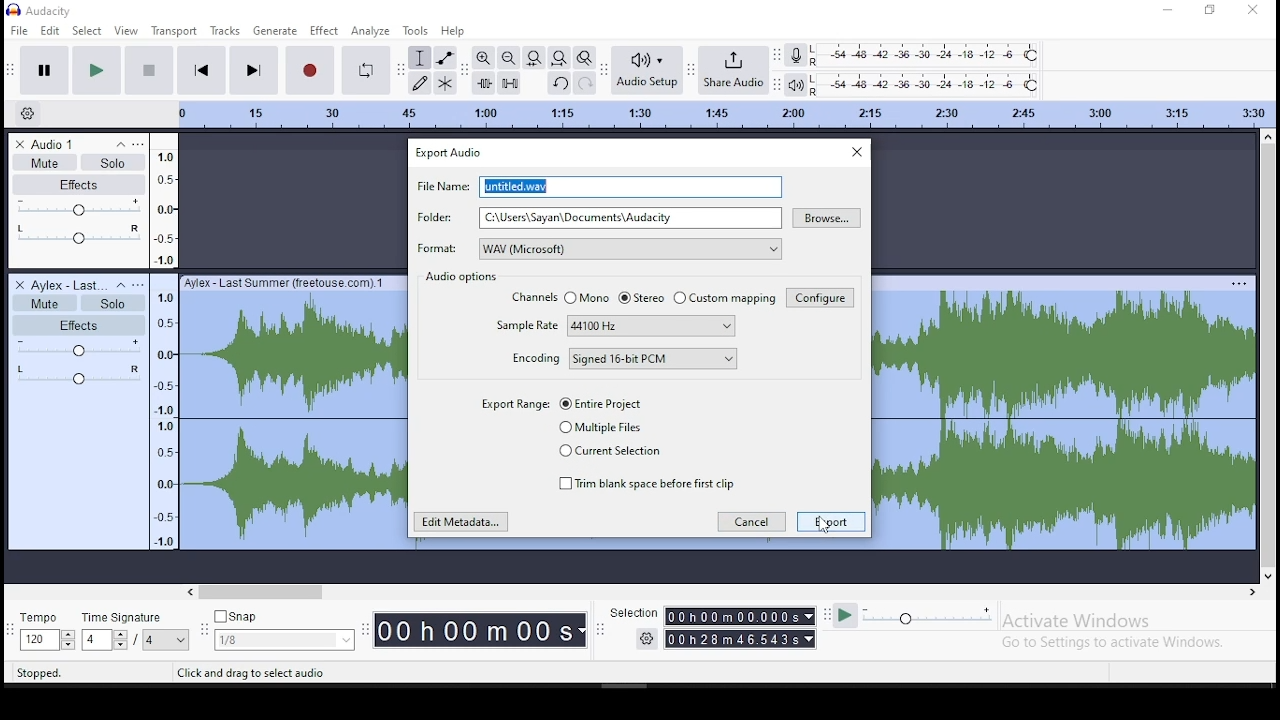 This screenshot has width=1280, height=720. I want to click on zoom in, so click(483, 58).